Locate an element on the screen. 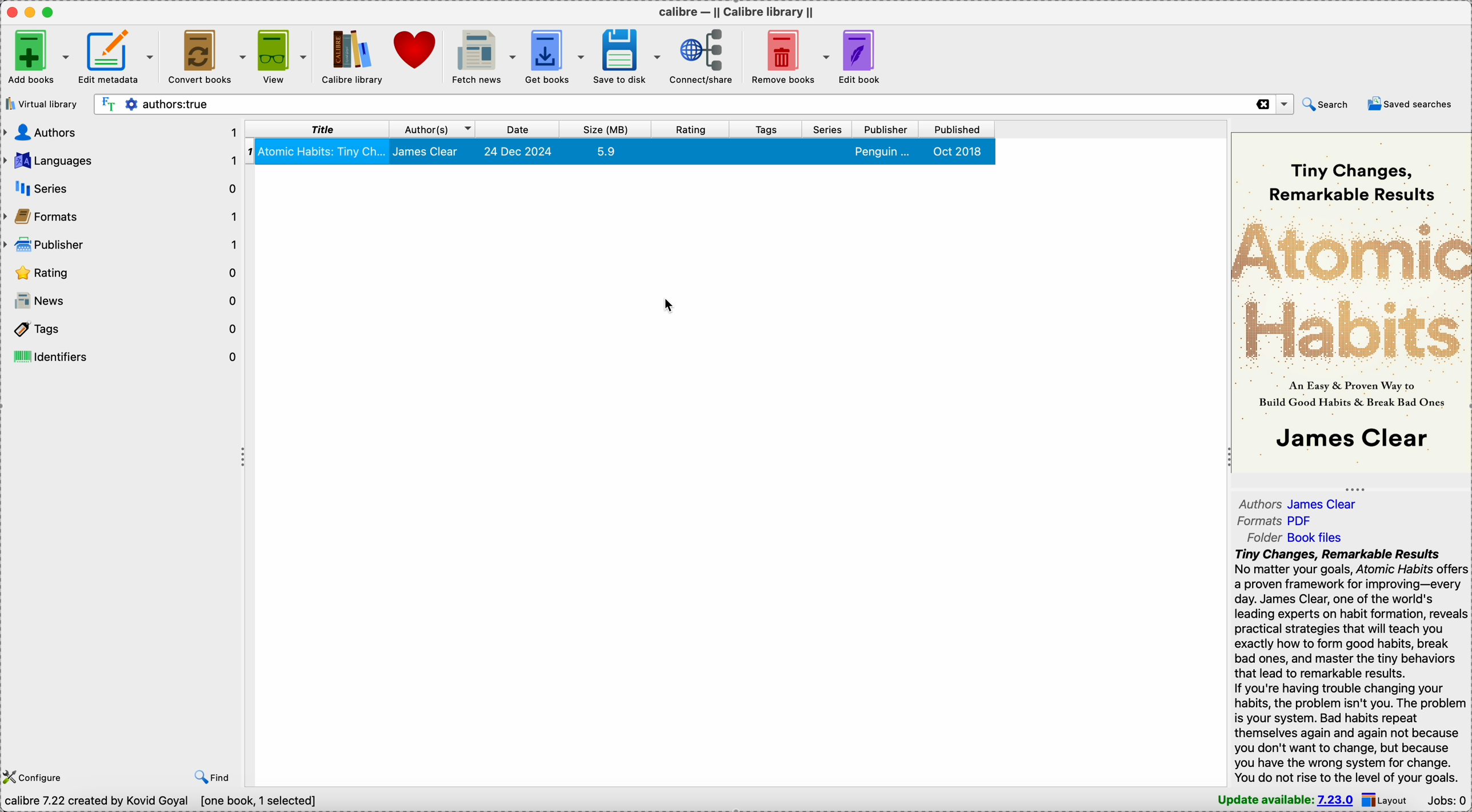 This screenshot has height=812, width=1472. title is located at coordinates (318, 129).